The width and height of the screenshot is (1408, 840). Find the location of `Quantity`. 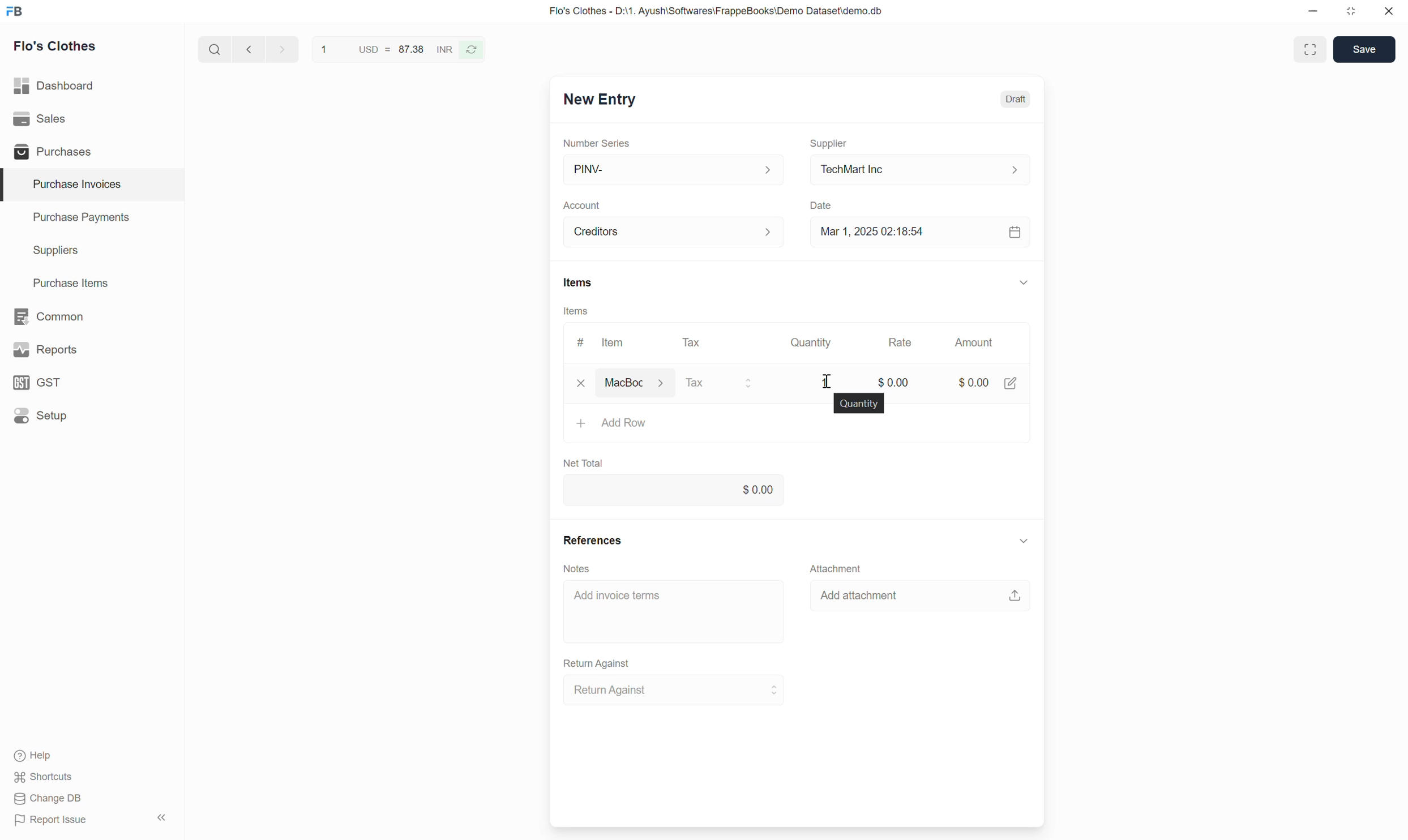

Quantity is located at coordinates (809, 342).